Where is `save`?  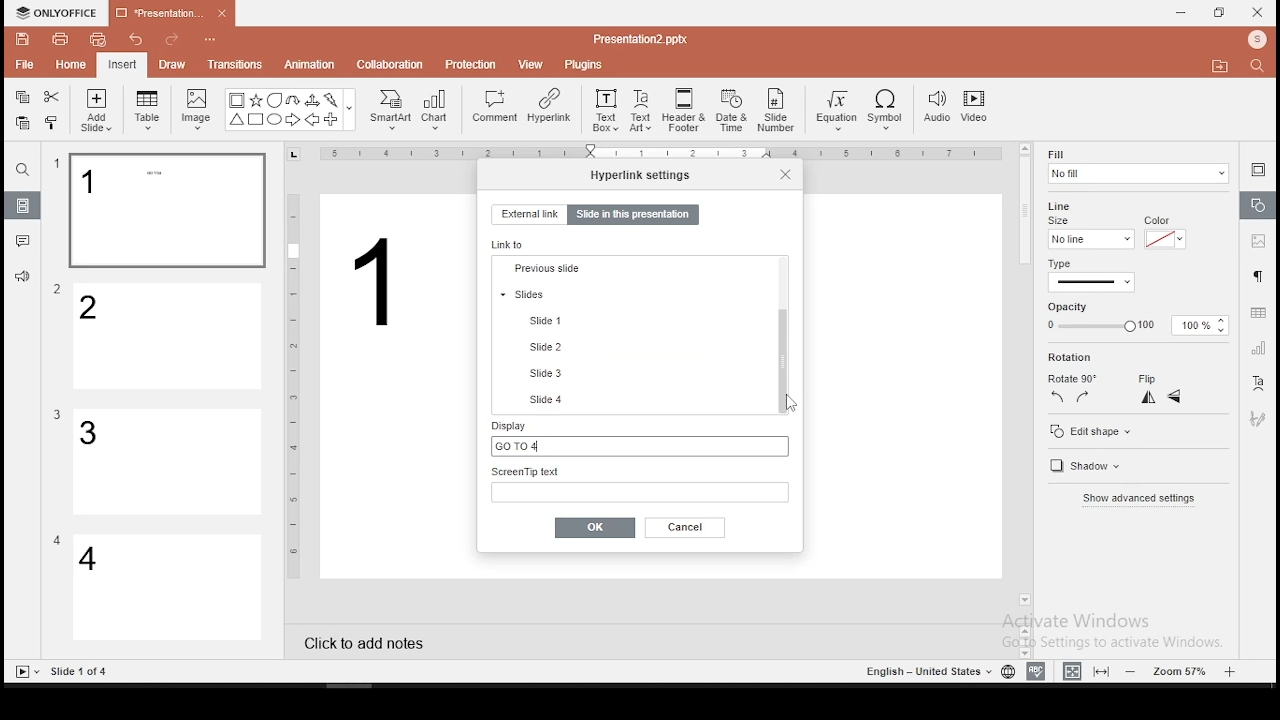
save is located at coordinates (23, 38).